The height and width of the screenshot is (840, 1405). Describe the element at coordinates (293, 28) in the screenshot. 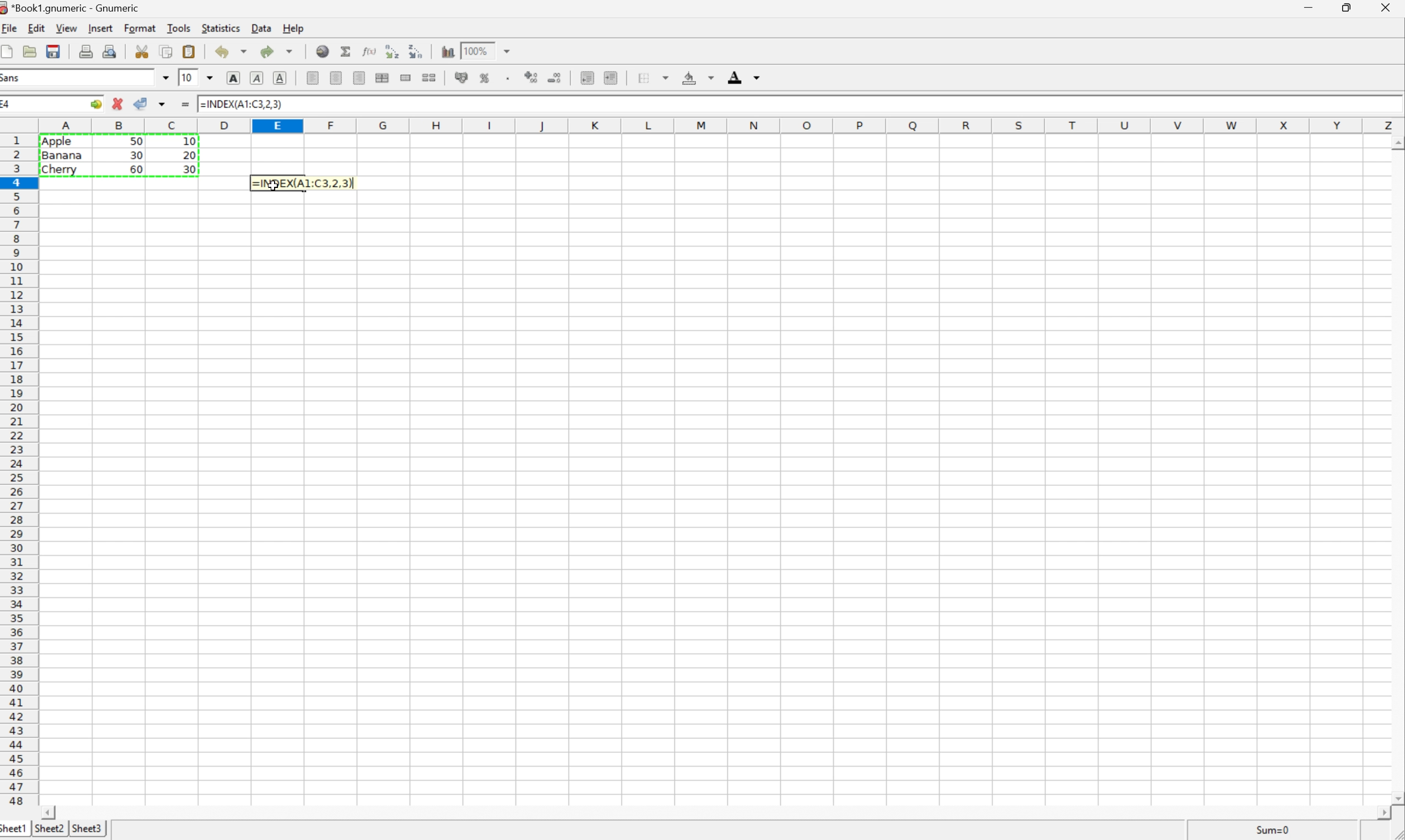

I see `help` at that location.